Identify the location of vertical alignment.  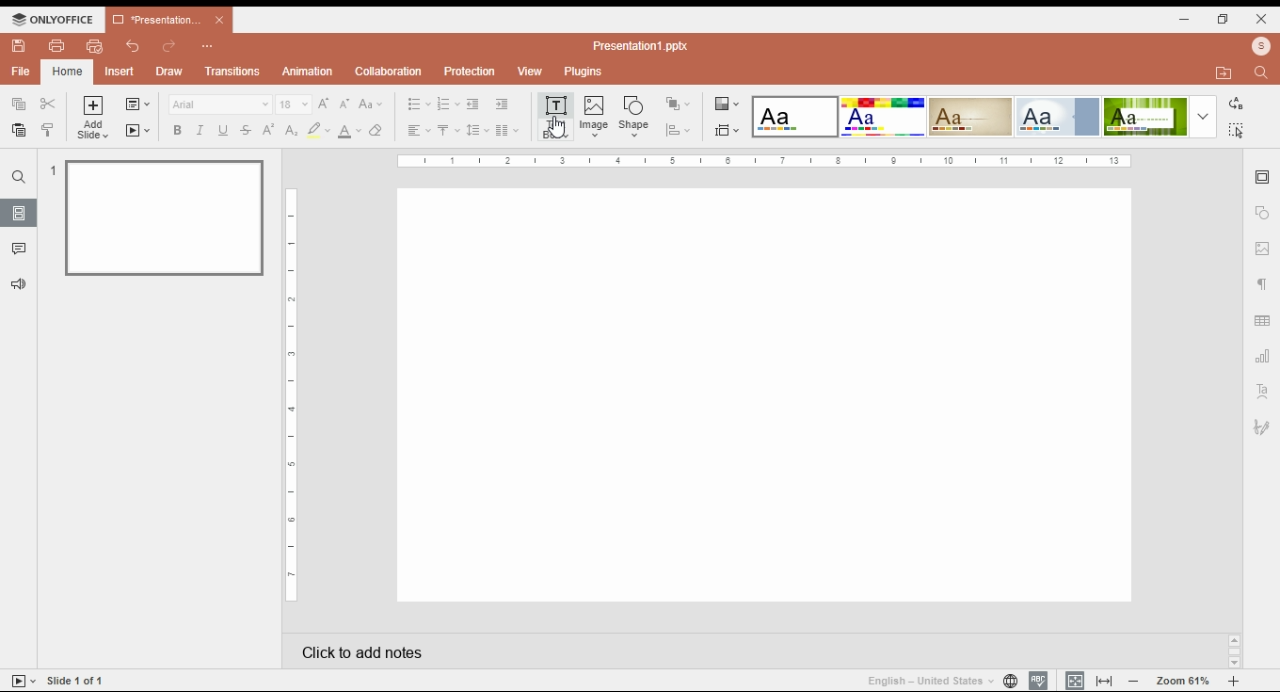
(448, 131).